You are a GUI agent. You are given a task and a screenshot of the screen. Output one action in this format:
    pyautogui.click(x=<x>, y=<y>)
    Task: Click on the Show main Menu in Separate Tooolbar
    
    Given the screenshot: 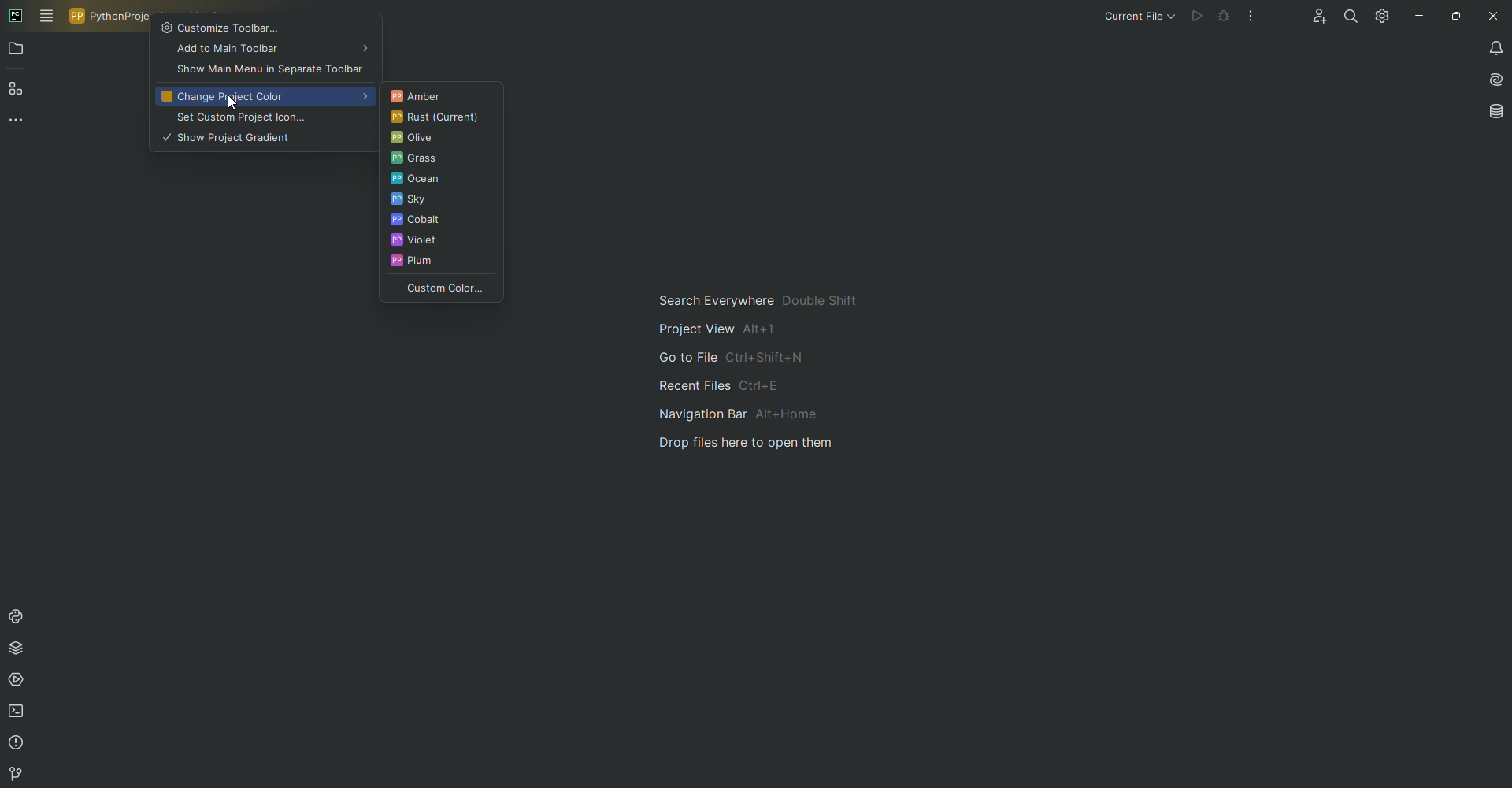 What is the action you would take?
    pyautogui.click(x=268, y=70)
    